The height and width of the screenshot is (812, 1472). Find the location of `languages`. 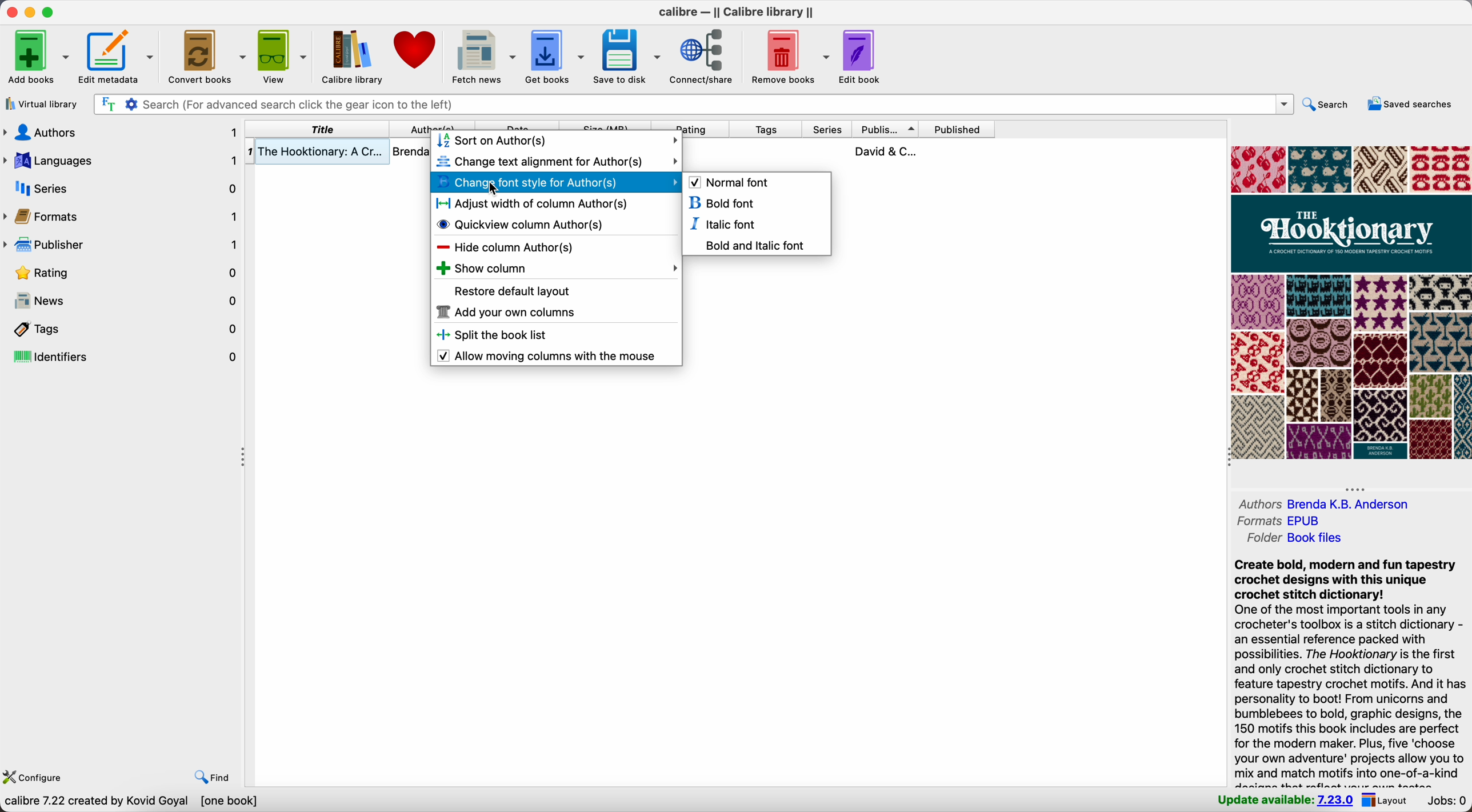

languages is located at coordinates (122, 159).